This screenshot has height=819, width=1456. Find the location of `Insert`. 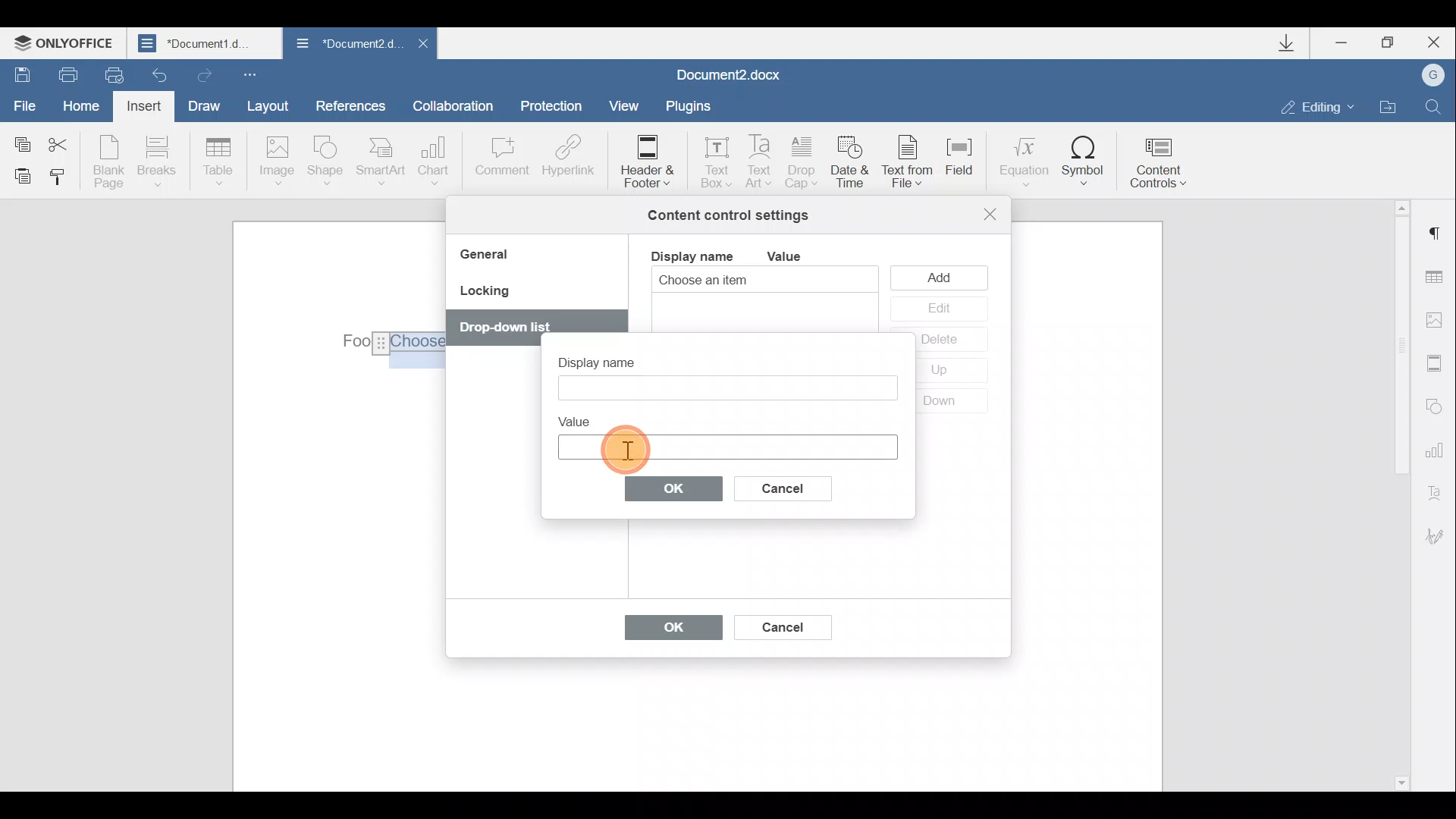

Insert is located at coordinates (146, 109).